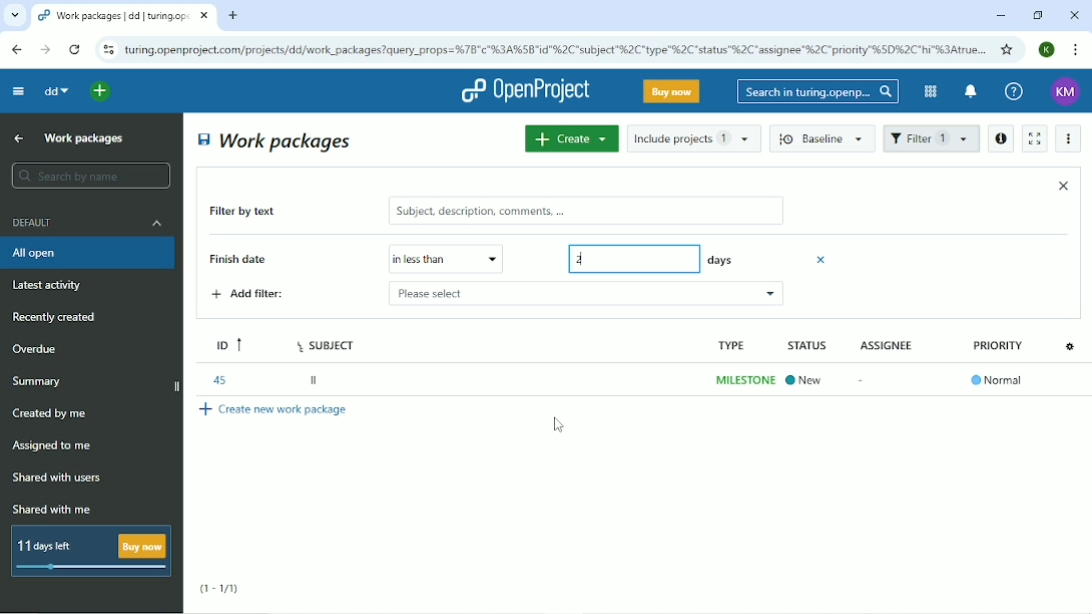  I want to click on settings, so click(1067, 350).